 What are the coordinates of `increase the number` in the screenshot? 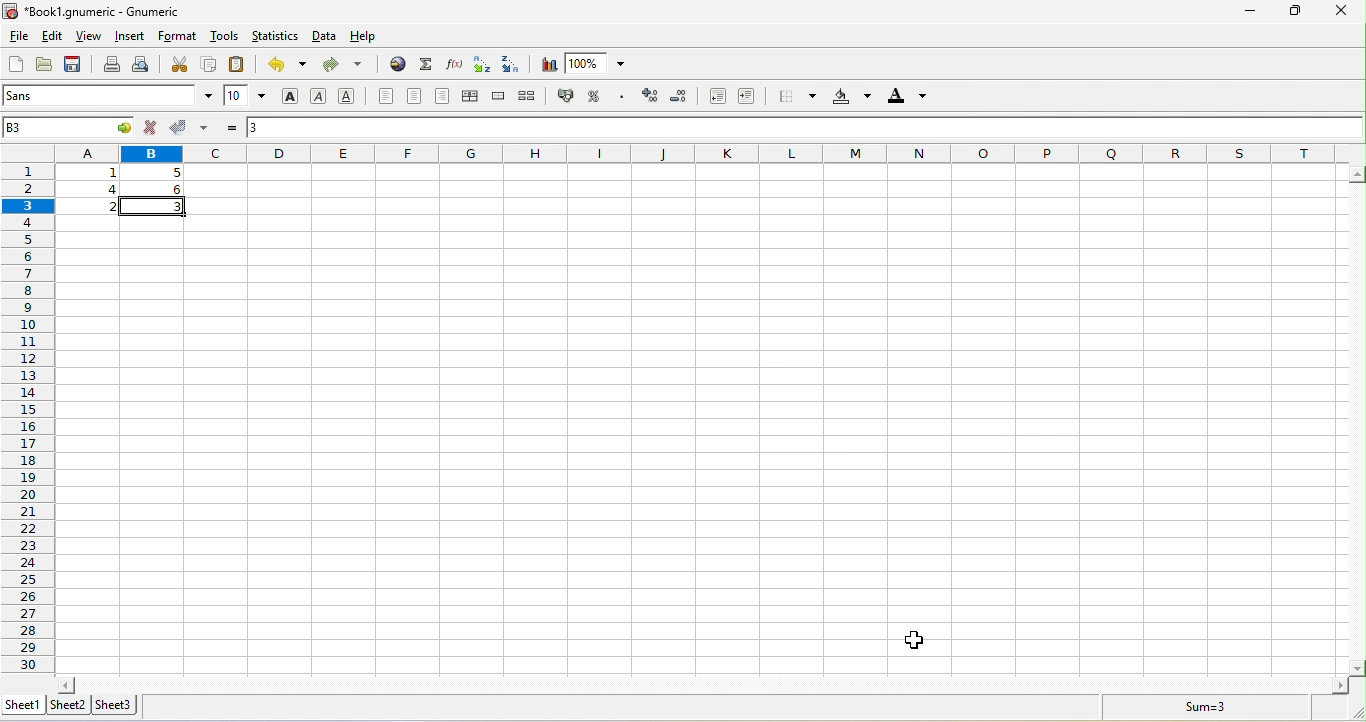 It's located at (651, 97).